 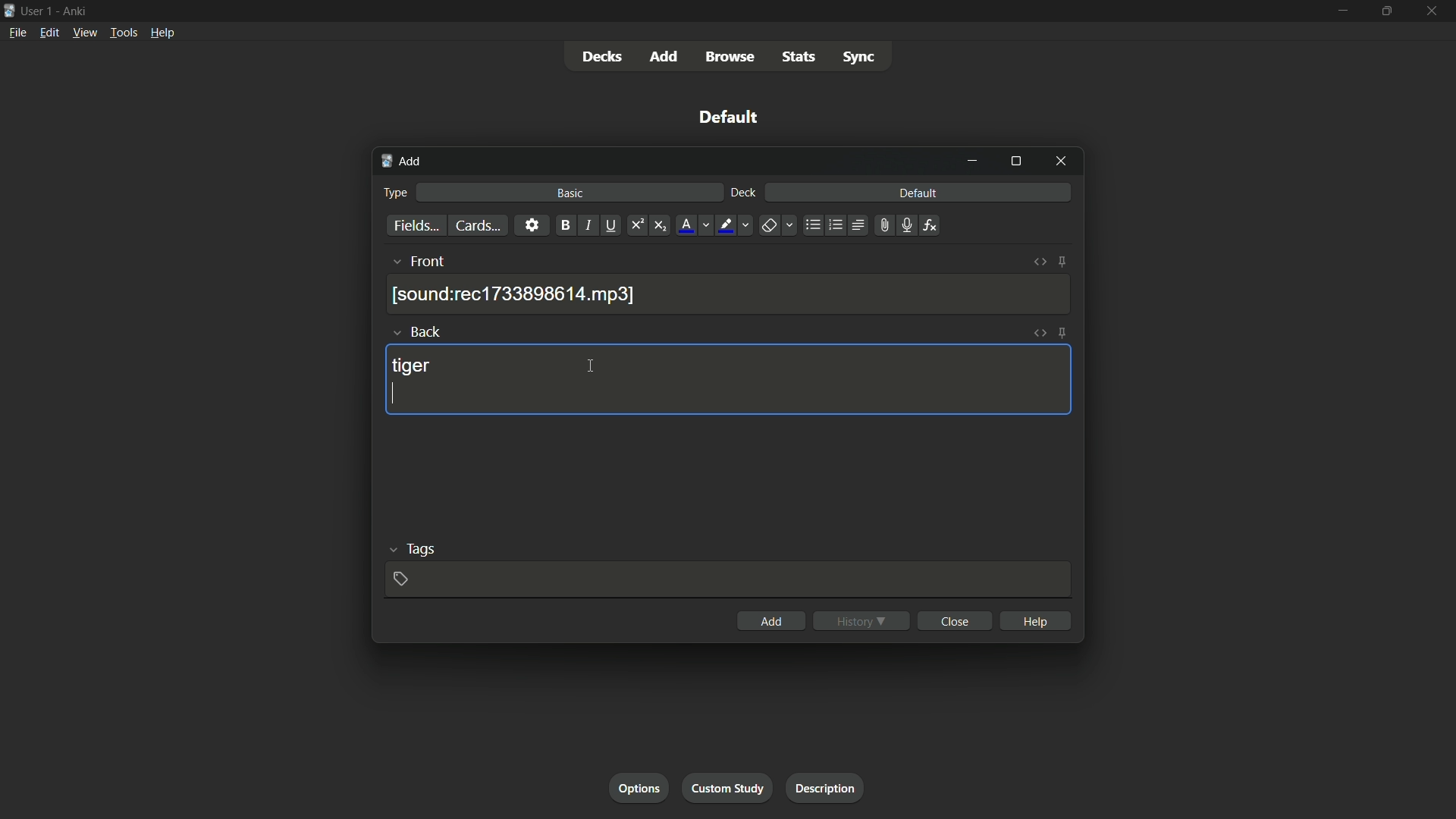 I want to click on tags, so click(x=420, y=551).